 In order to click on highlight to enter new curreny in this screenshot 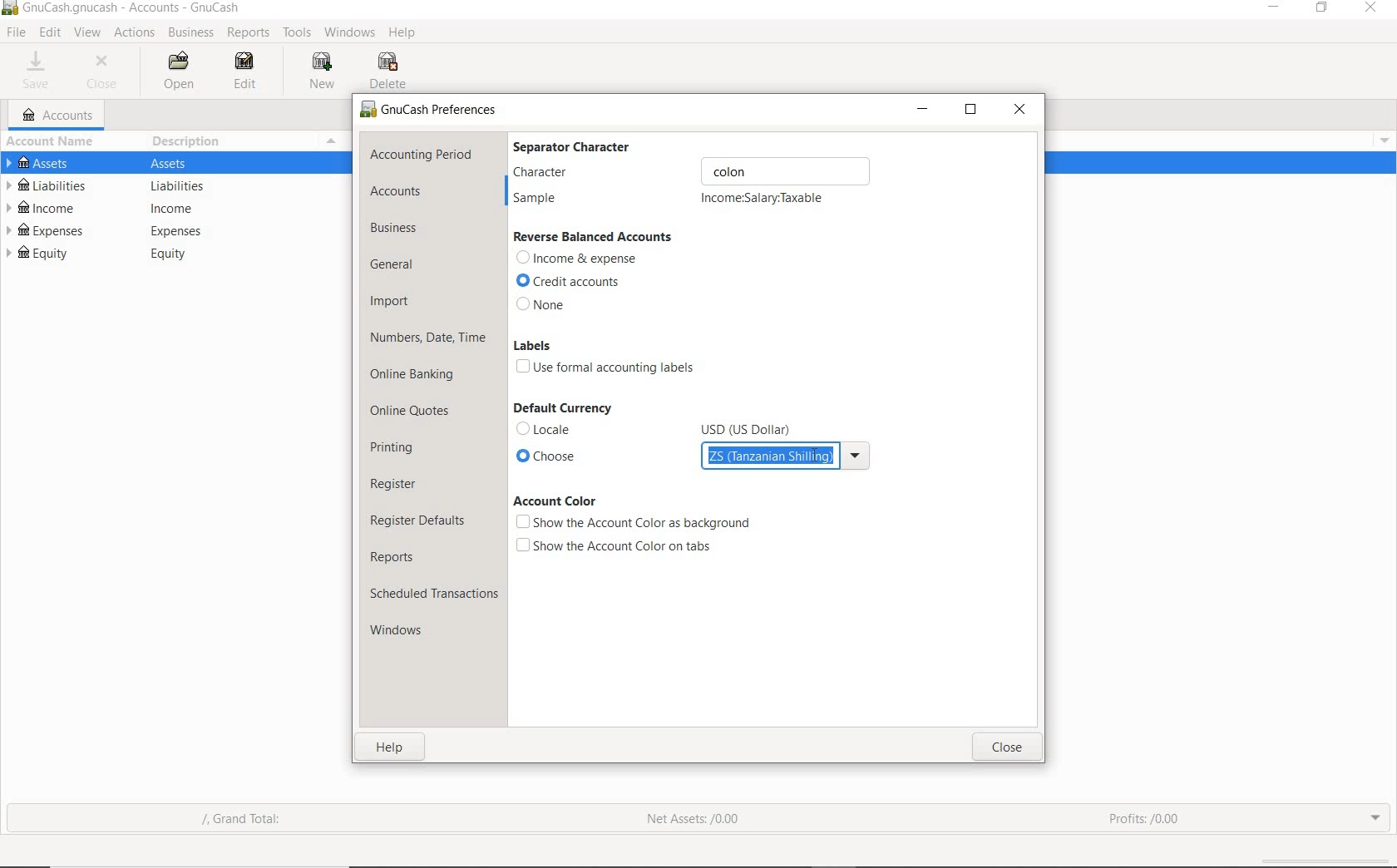, I will do `click(770, 457)`.